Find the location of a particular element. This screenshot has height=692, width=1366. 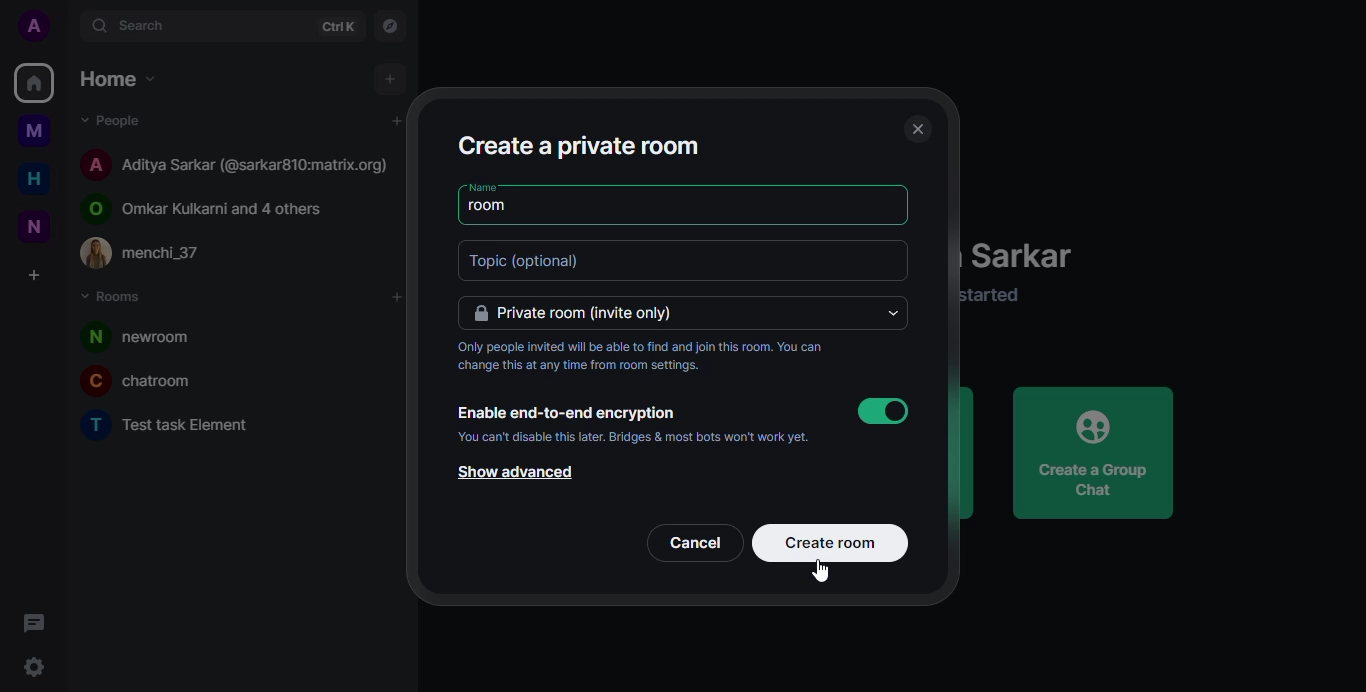

add is located at coordinates (383, 80).